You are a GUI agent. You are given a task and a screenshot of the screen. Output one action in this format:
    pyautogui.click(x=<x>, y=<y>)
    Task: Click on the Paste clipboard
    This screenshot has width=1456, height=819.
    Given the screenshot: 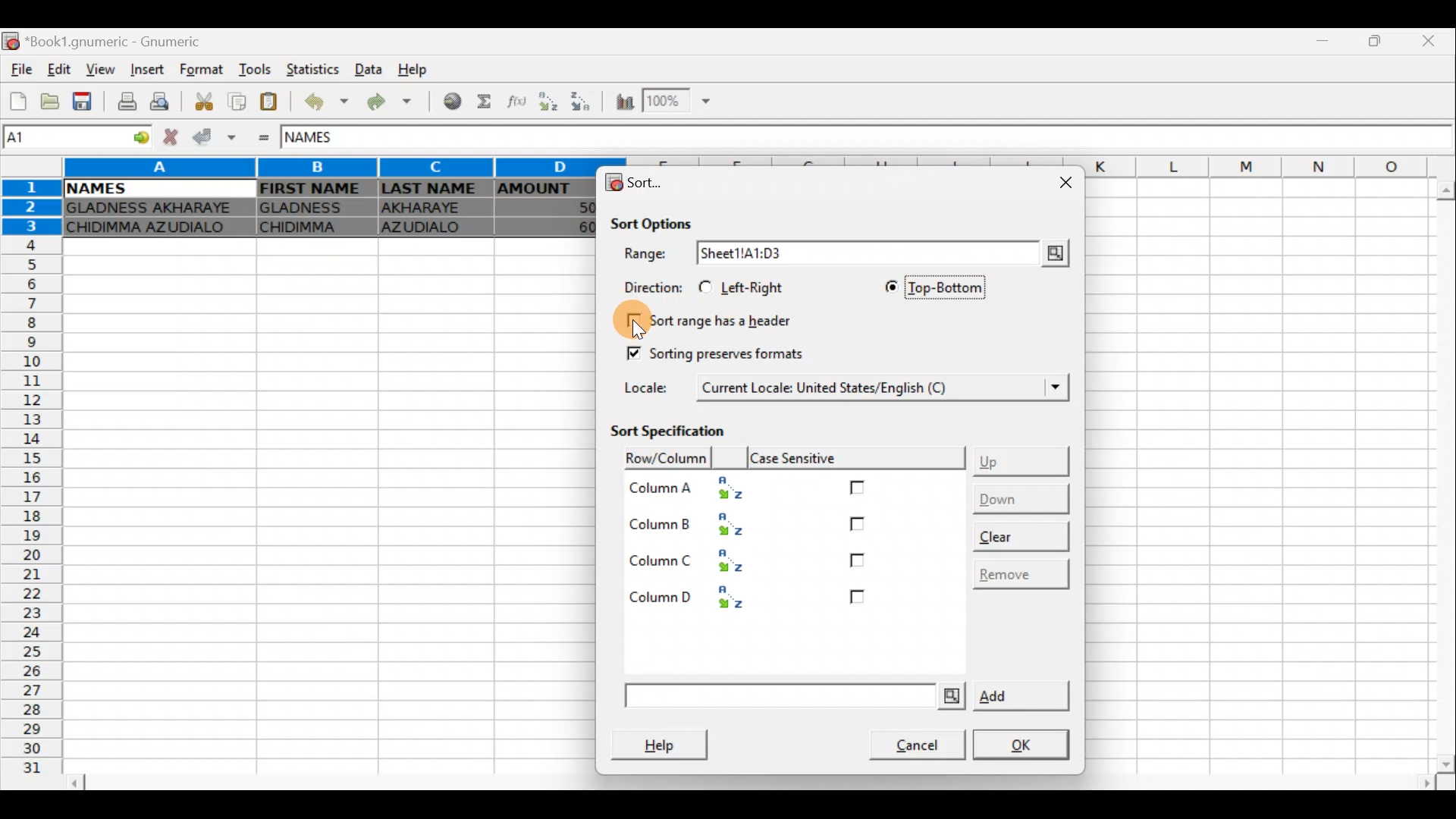 What is the action you would take?
    pyautogui.click(x=268, y=103)
    